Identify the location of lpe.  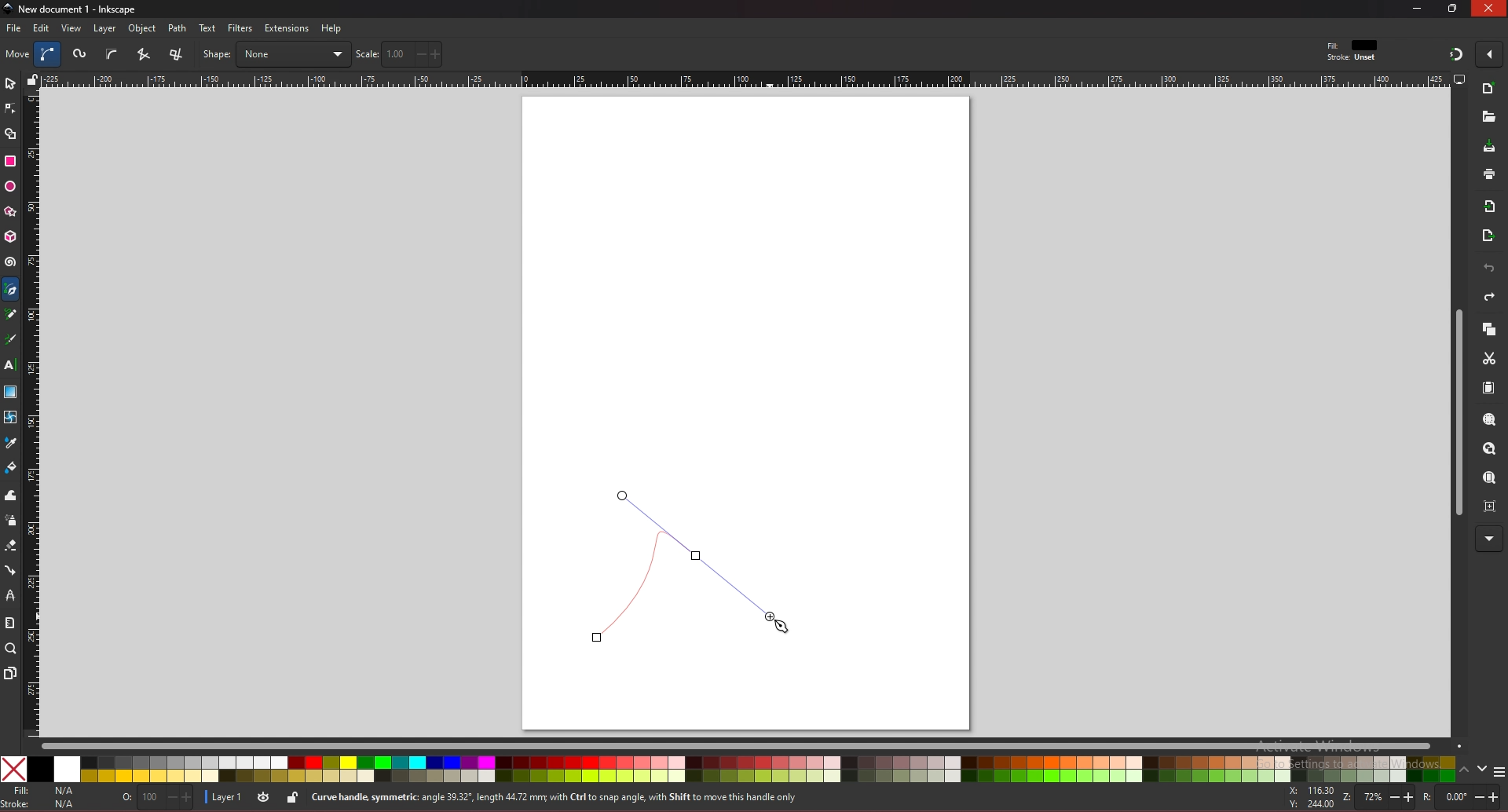
(11, 594).